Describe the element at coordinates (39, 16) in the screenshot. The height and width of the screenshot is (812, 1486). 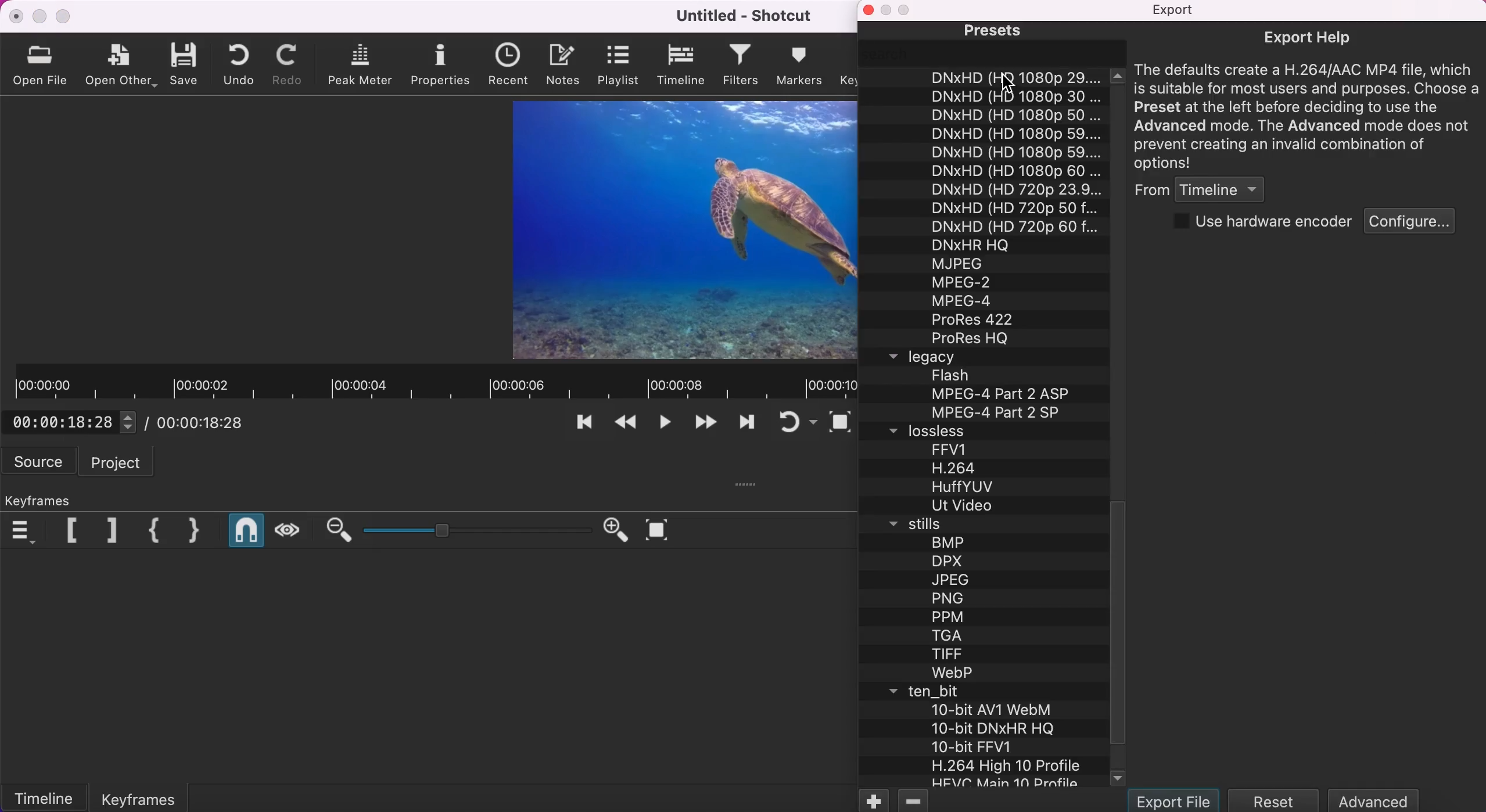
I see `minimize Shotcut` at that location.